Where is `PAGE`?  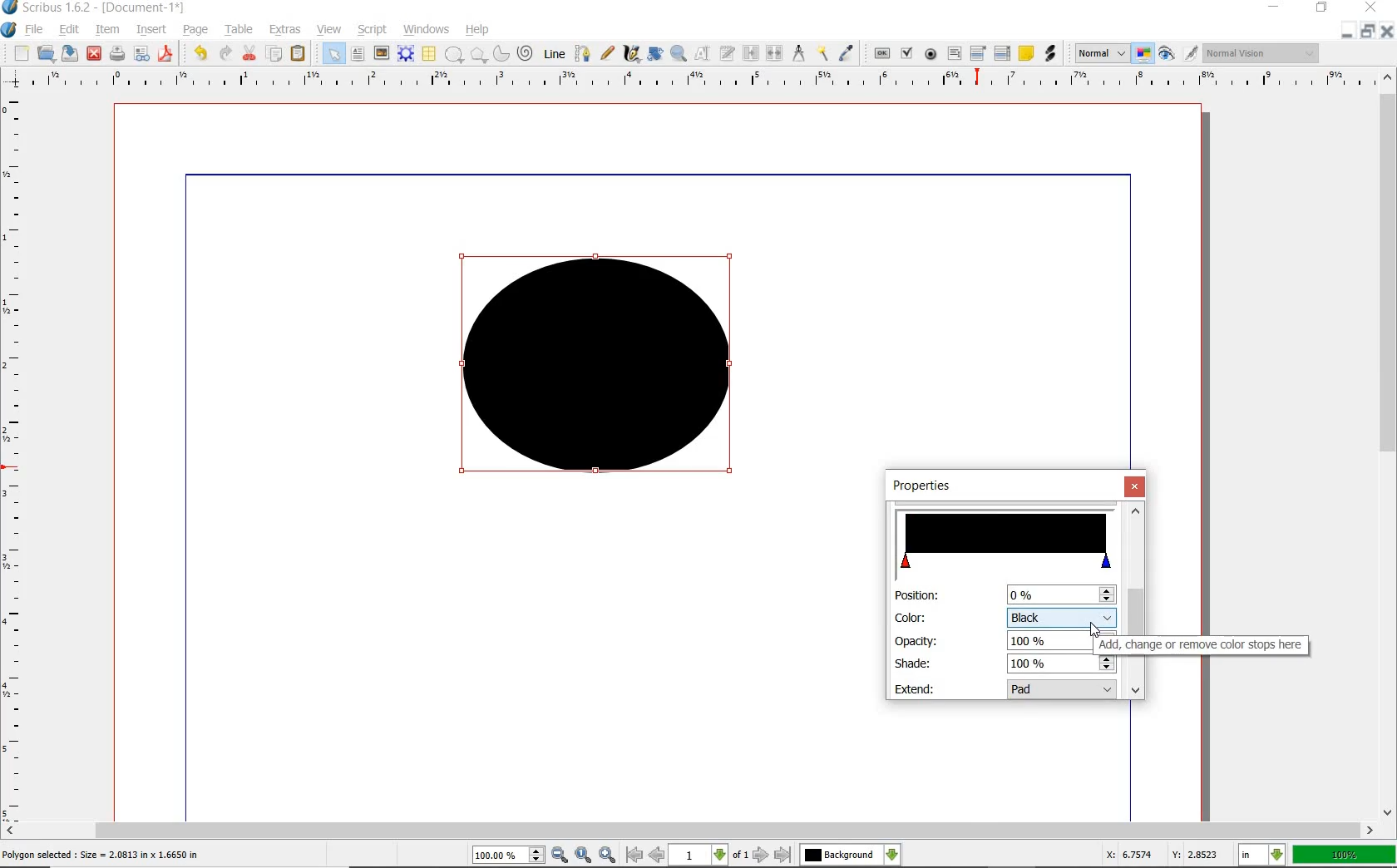
PAGE is located at coordinates (193, 31).